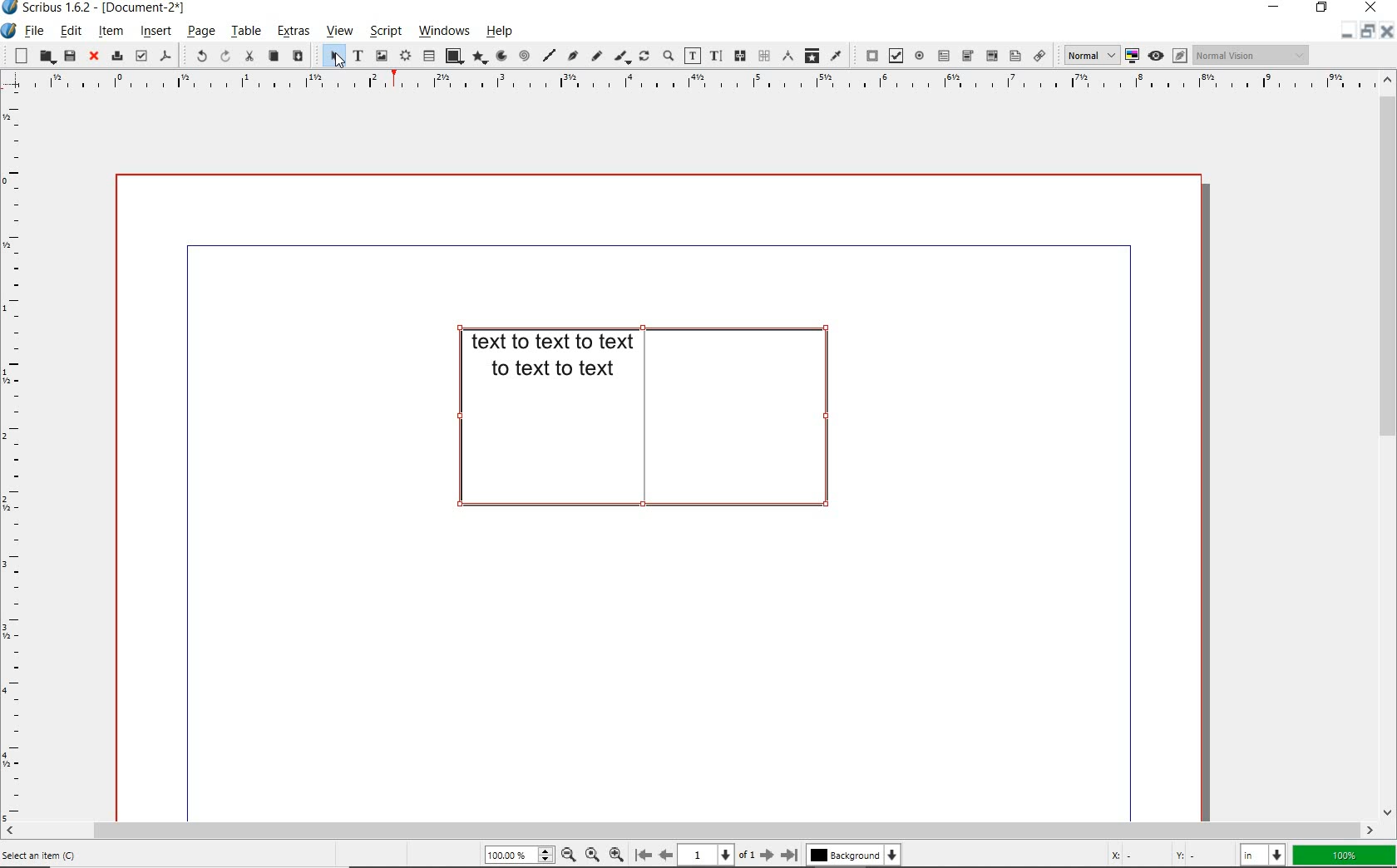  I want to click on print, so click(116, 57).